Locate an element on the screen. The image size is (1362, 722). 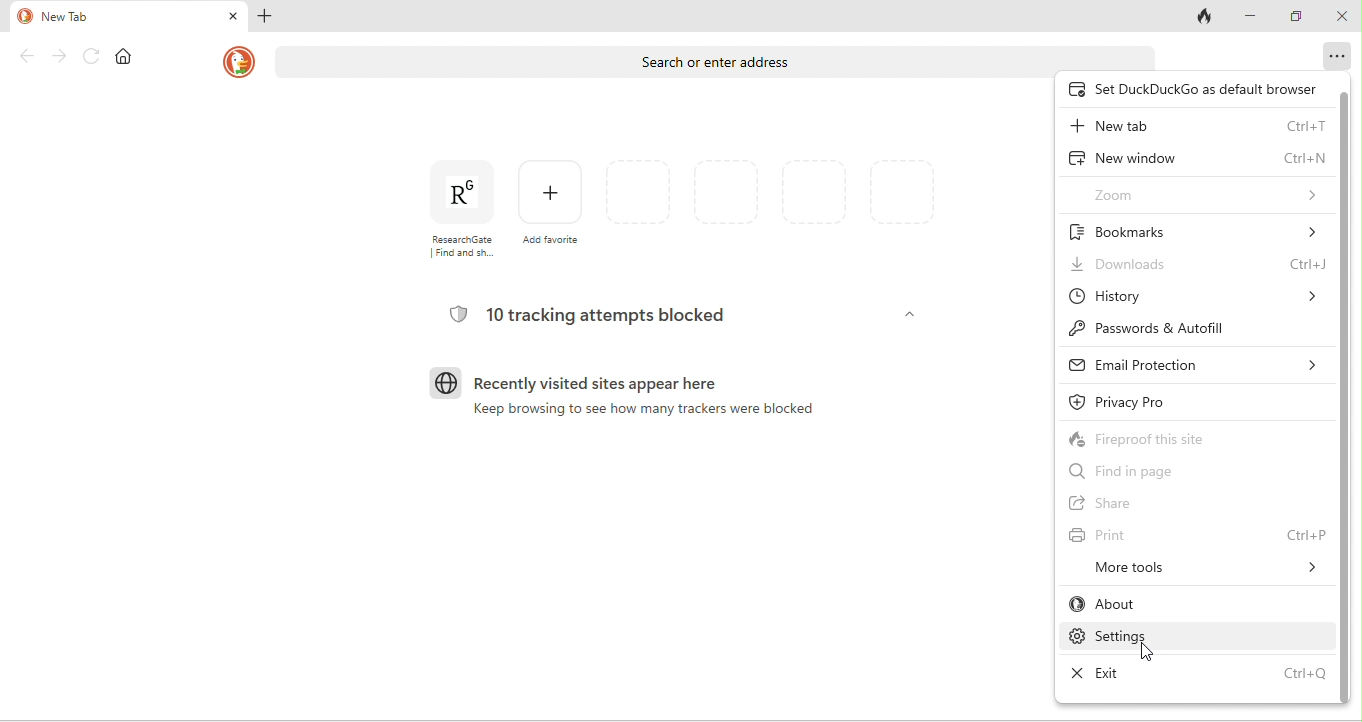
back is located at coordinates (26, 56).